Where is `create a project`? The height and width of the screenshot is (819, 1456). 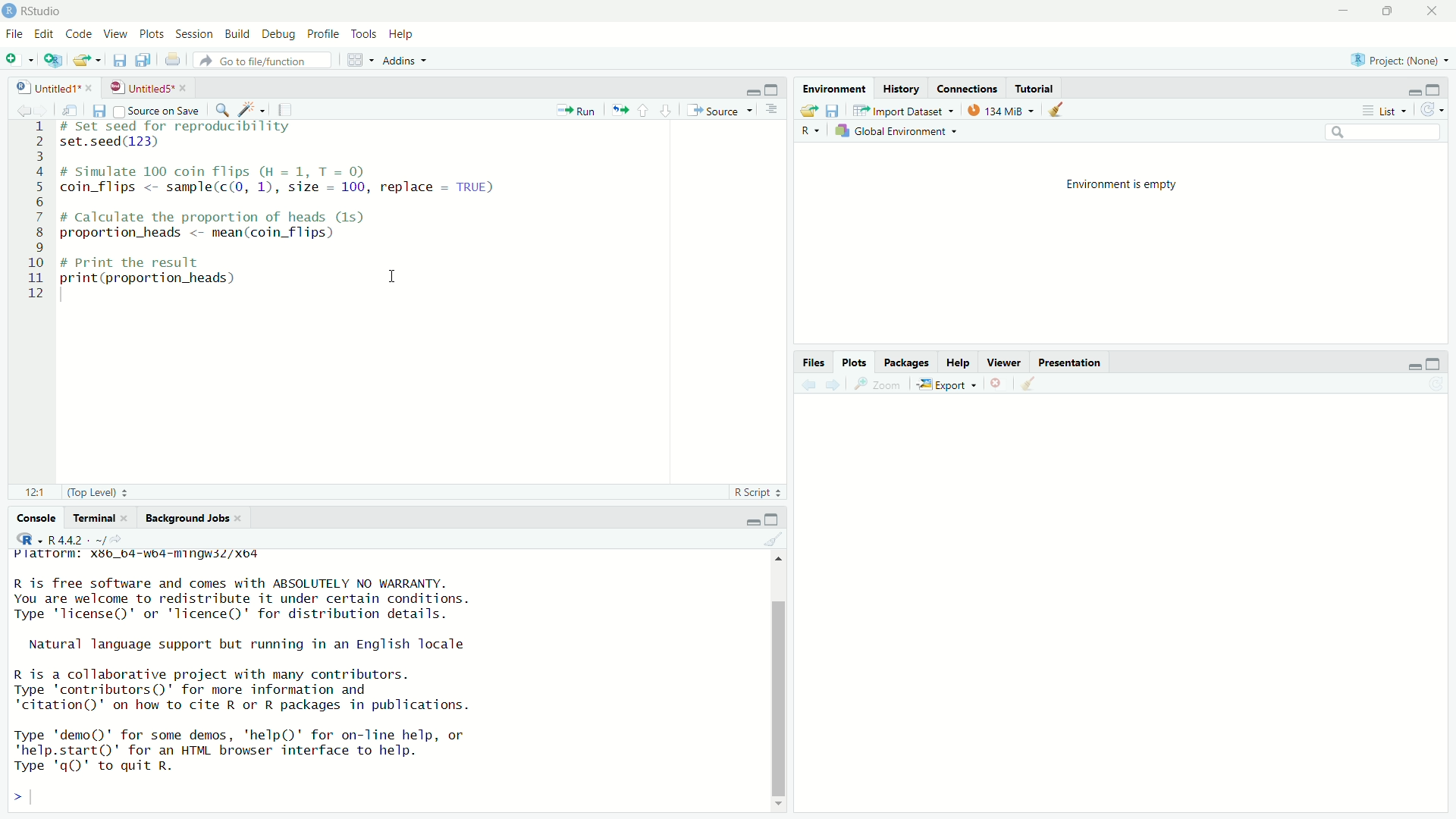
create a project is located at coordinates (50, 60).